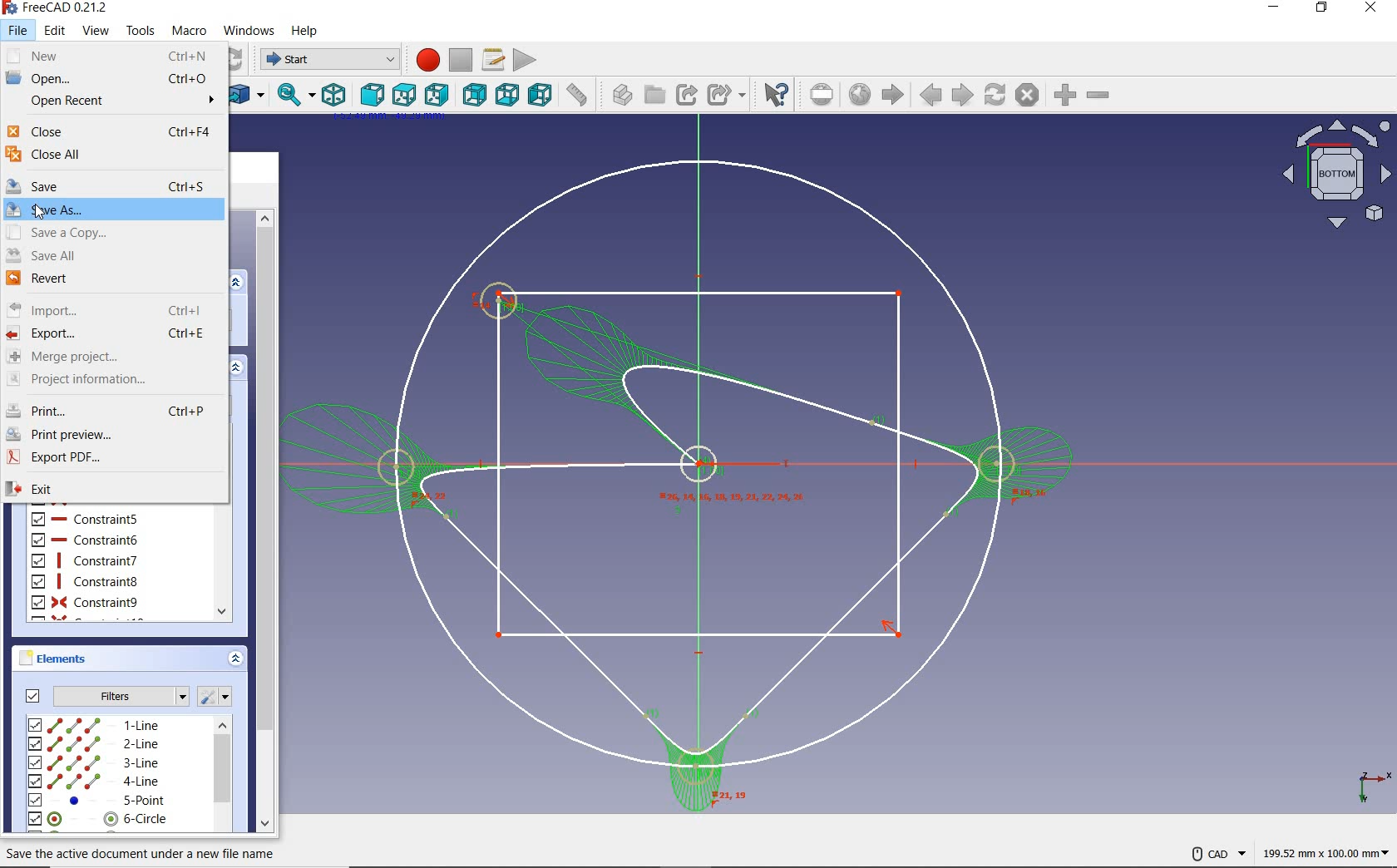 The width and height of the screenshot is (1397, 868). I want to click on rear, so click(476, 96).